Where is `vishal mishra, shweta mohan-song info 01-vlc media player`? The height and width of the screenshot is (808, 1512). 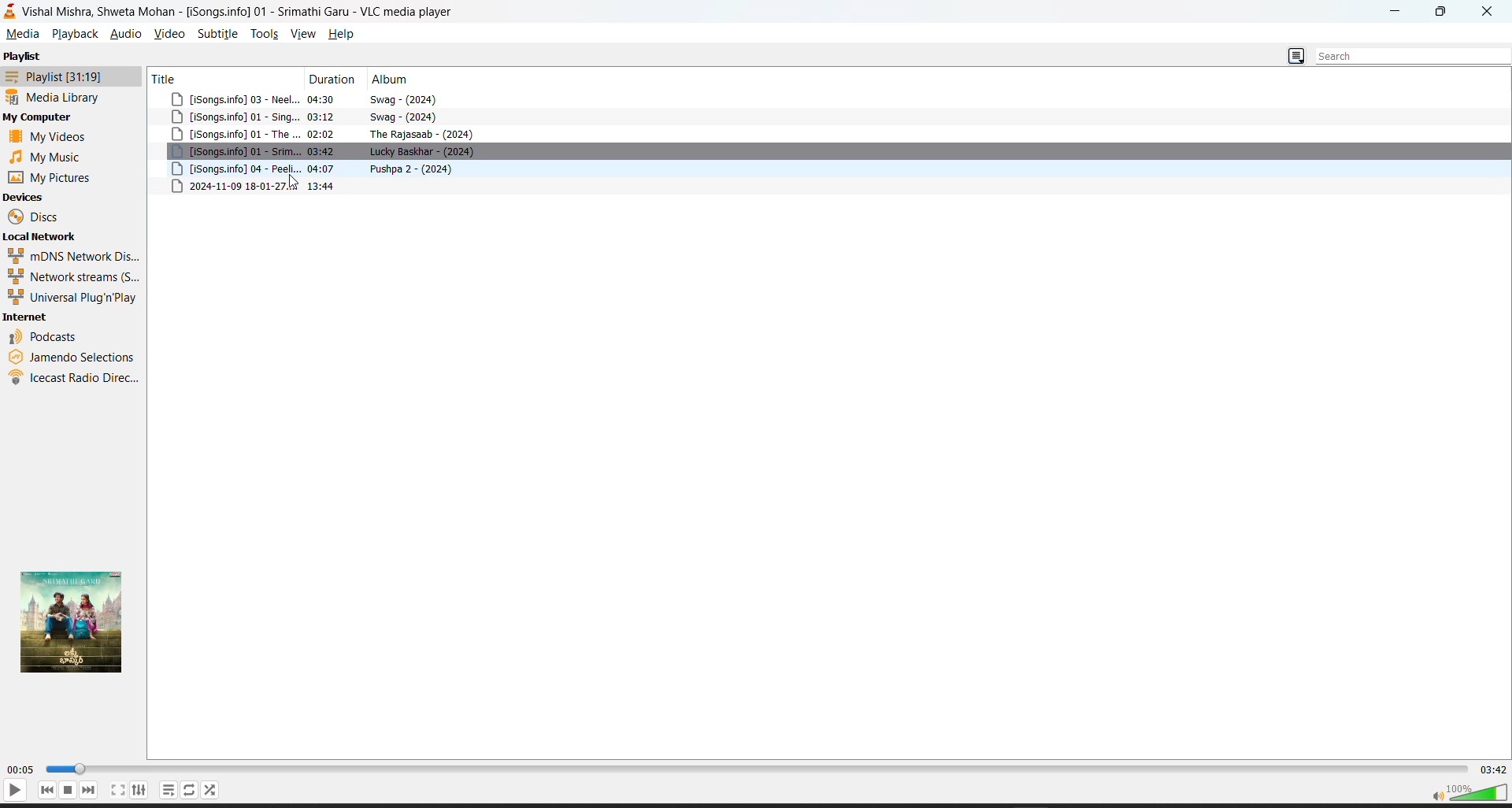 vishal mishra, shweta mohan-song info 01-vlc media player is located at coordinates (243, 9).